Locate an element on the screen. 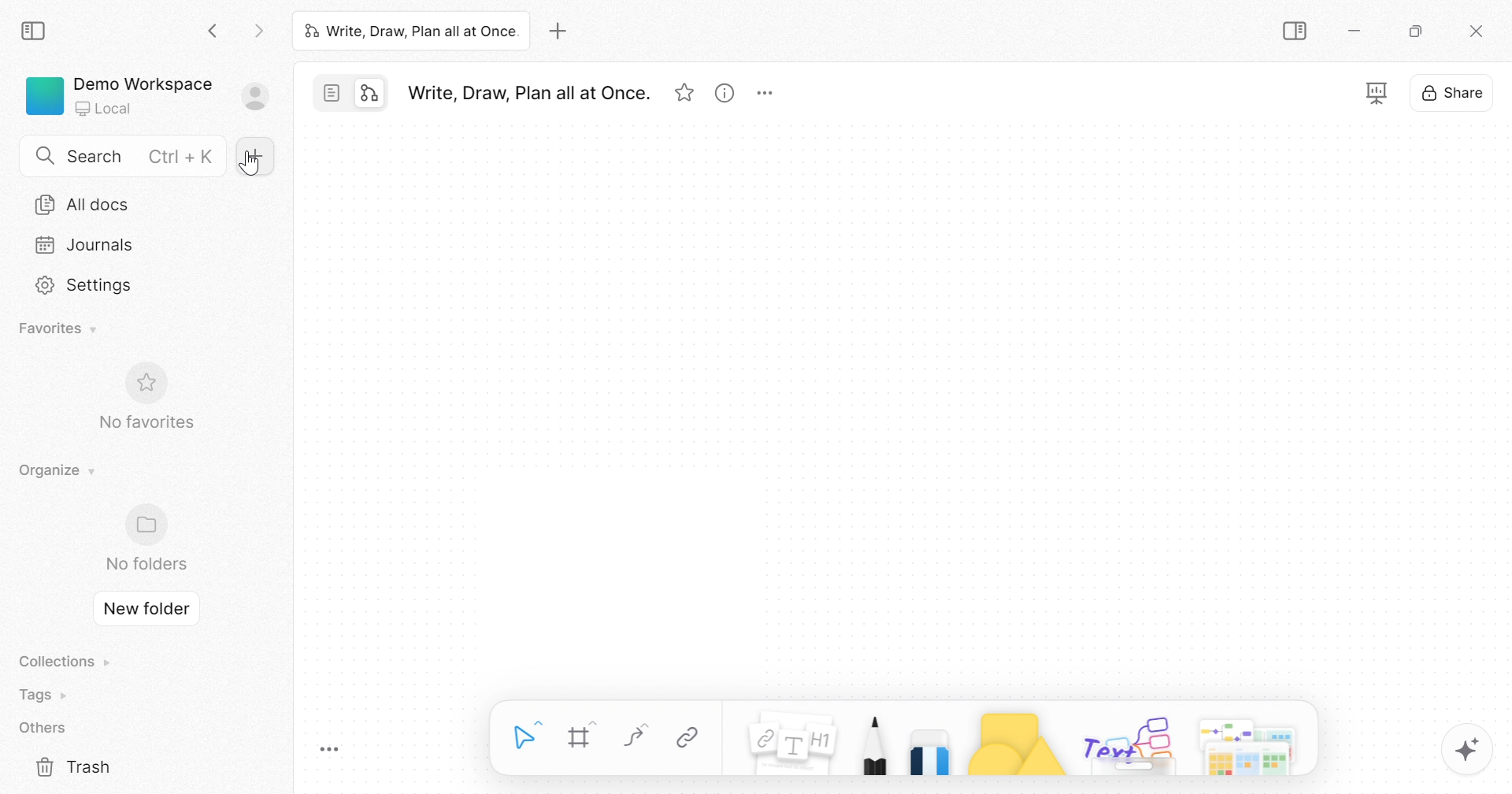 The height and width of the screenshot is (794, 1512). AFFINE AI is located at coordinates (1469, 754).